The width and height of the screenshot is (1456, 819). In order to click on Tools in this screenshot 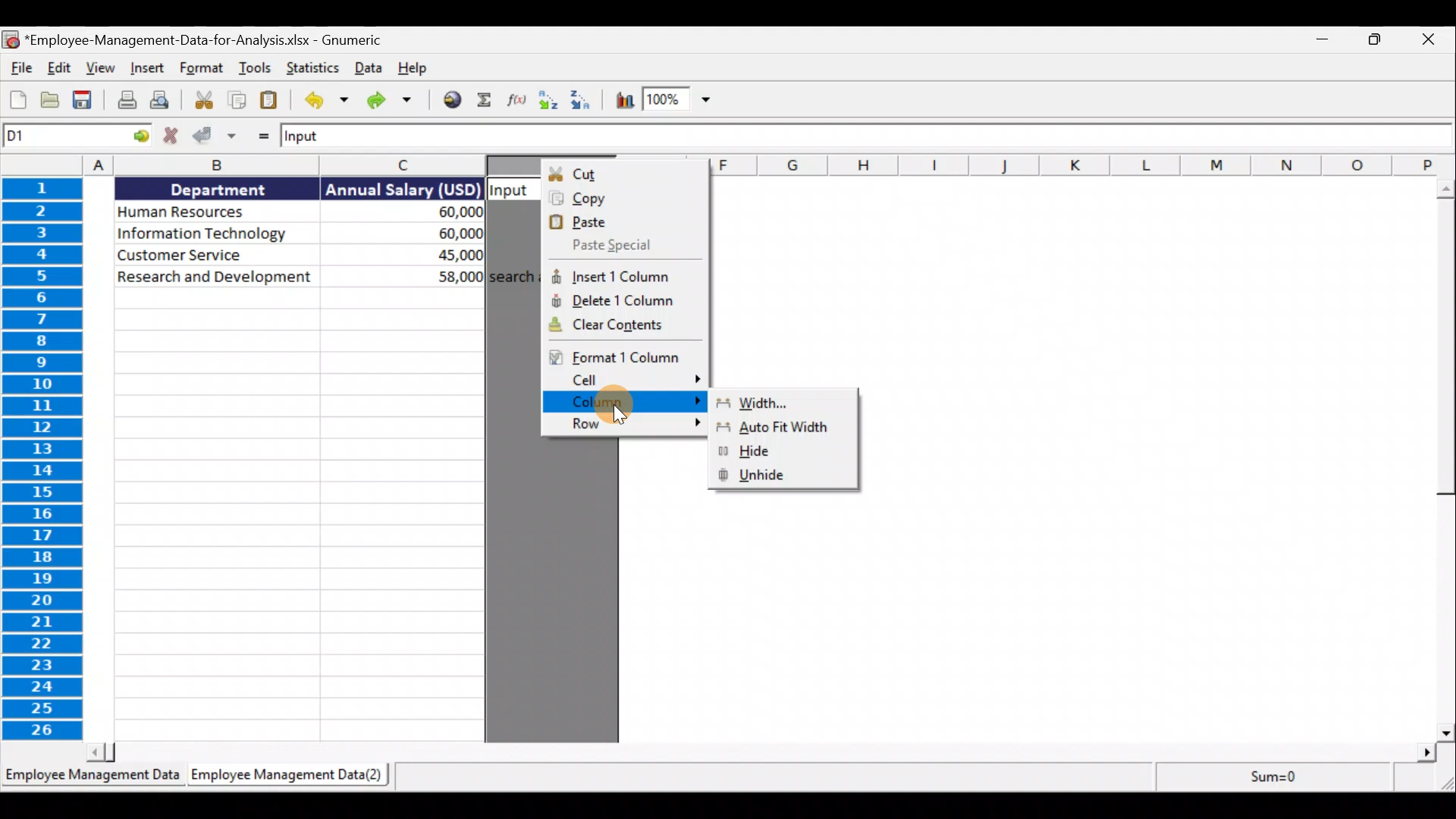, I will do `click(257, 66)`.